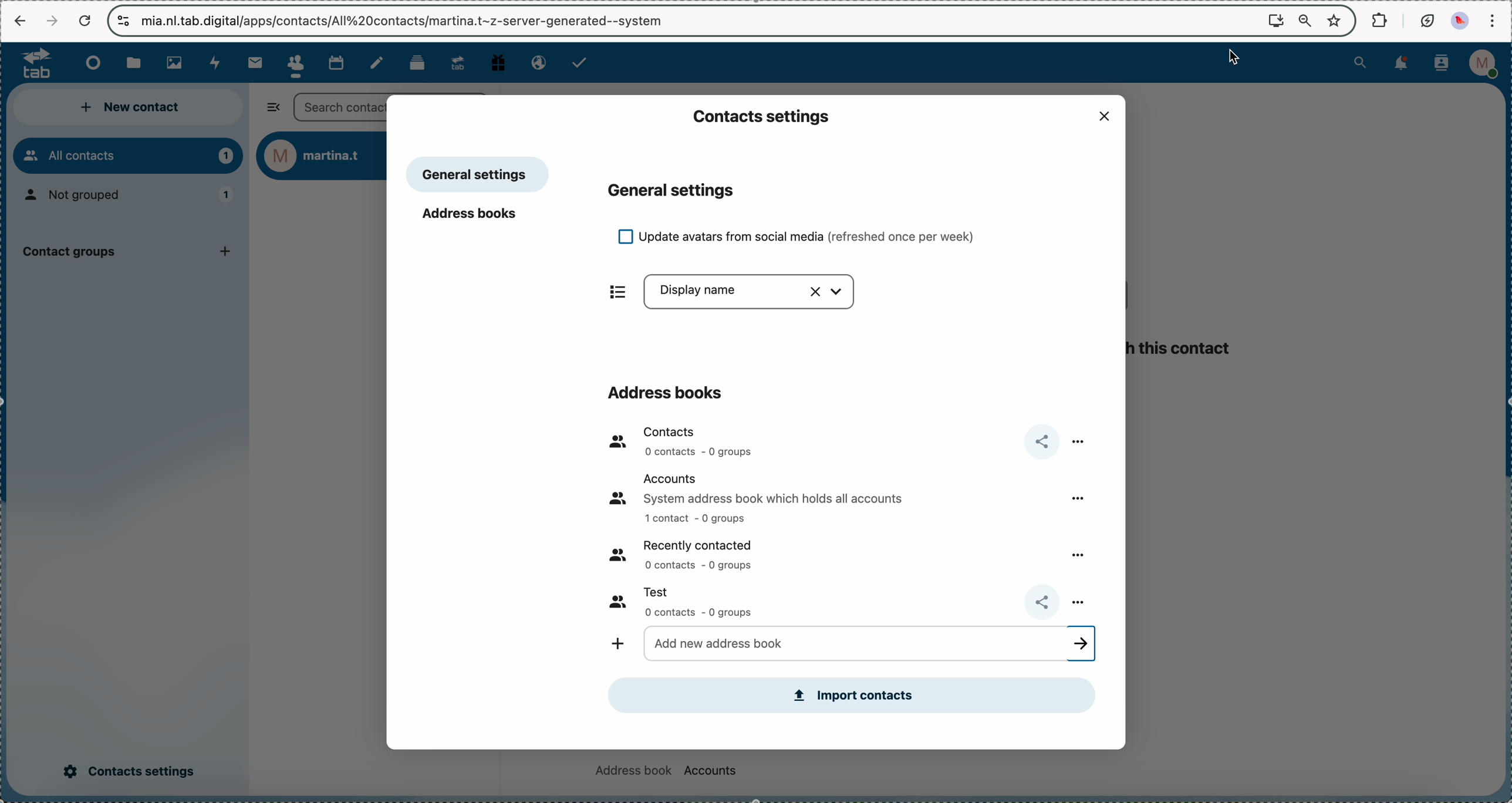 This screenshot has height=803, width=1512. I want to click on navigate back, so click(18, 19).